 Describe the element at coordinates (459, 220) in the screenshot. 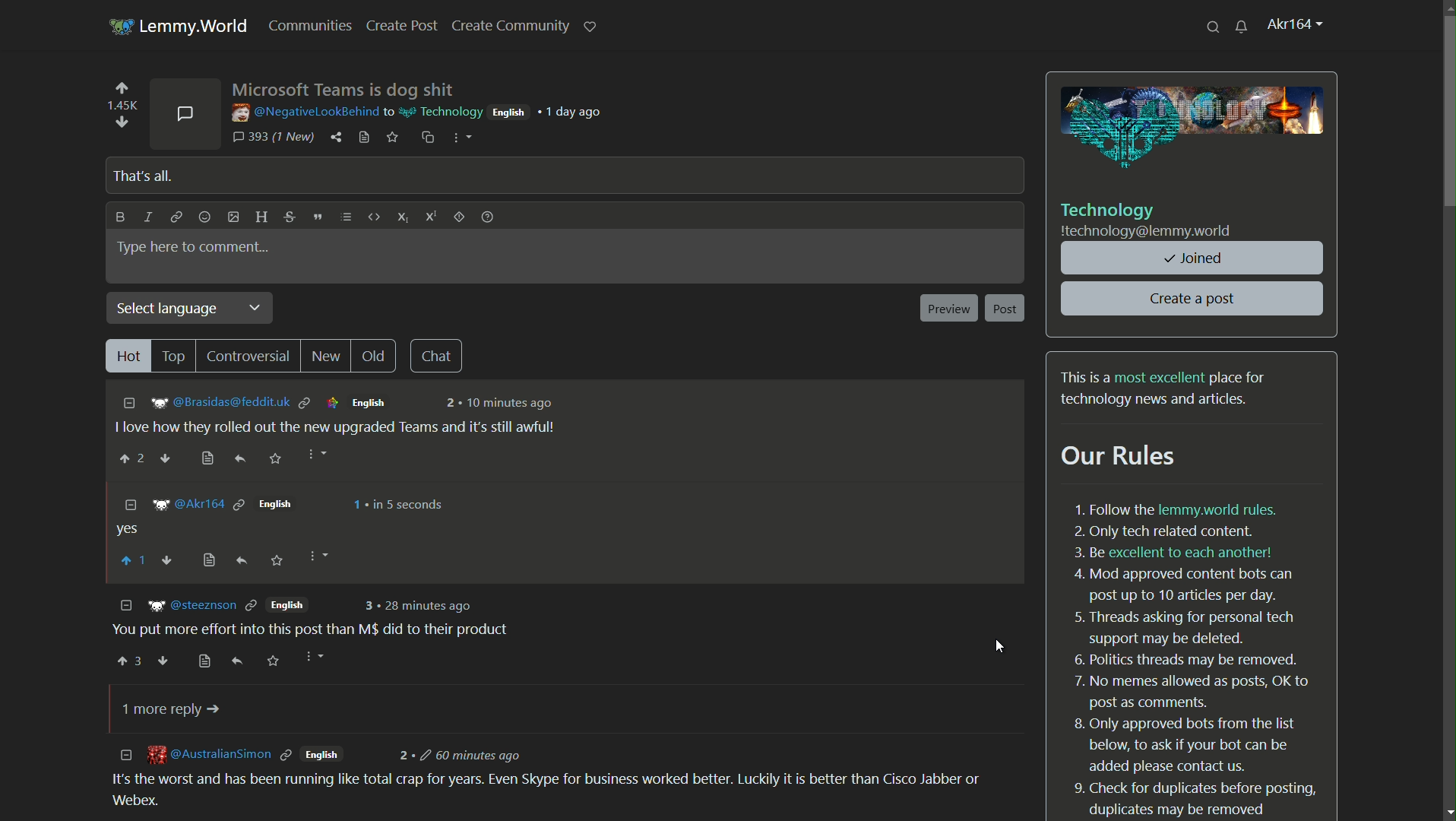

I see `spoiler` at that location.